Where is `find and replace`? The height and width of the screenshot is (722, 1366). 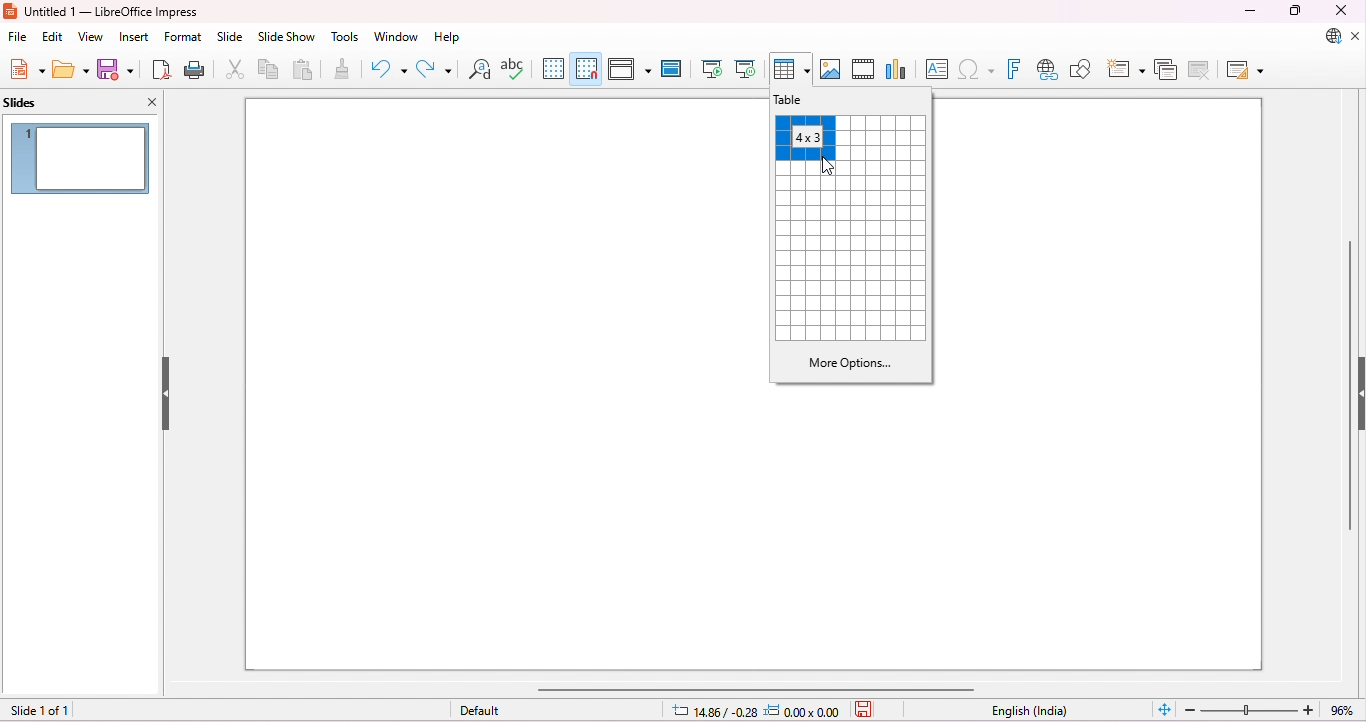
find and replace is located at coordinates (481, 69).